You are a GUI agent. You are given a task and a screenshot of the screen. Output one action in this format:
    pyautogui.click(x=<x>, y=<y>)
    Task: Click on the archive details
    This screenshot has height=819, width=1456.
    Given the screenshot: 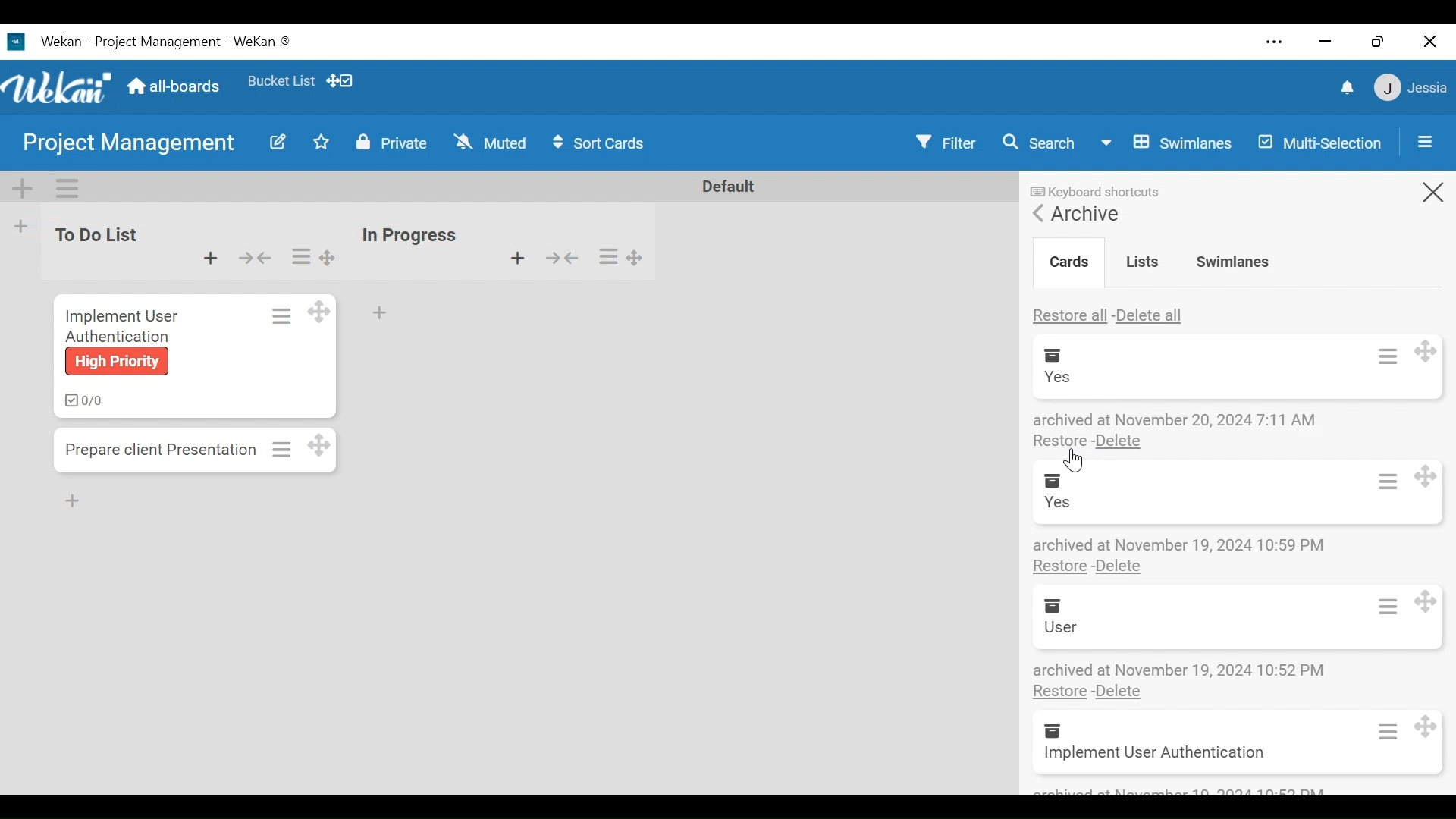 What is the action you would take?
    pyautogui.click(x=1178, y=790)
    